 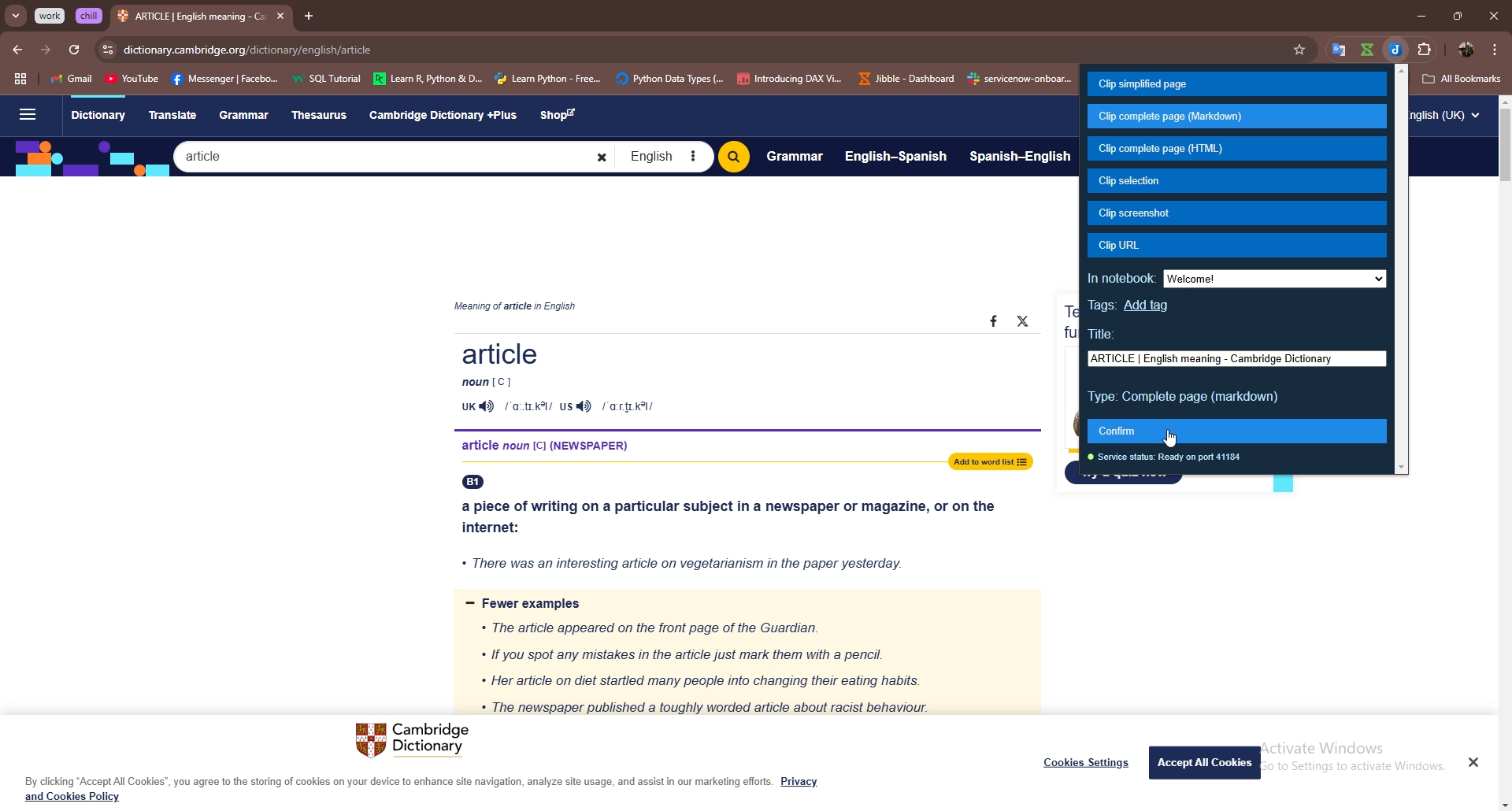 What do you see at coordinates (1457, 15) in the screenshot?
I see `resize` at bounding box center [1457, 15].